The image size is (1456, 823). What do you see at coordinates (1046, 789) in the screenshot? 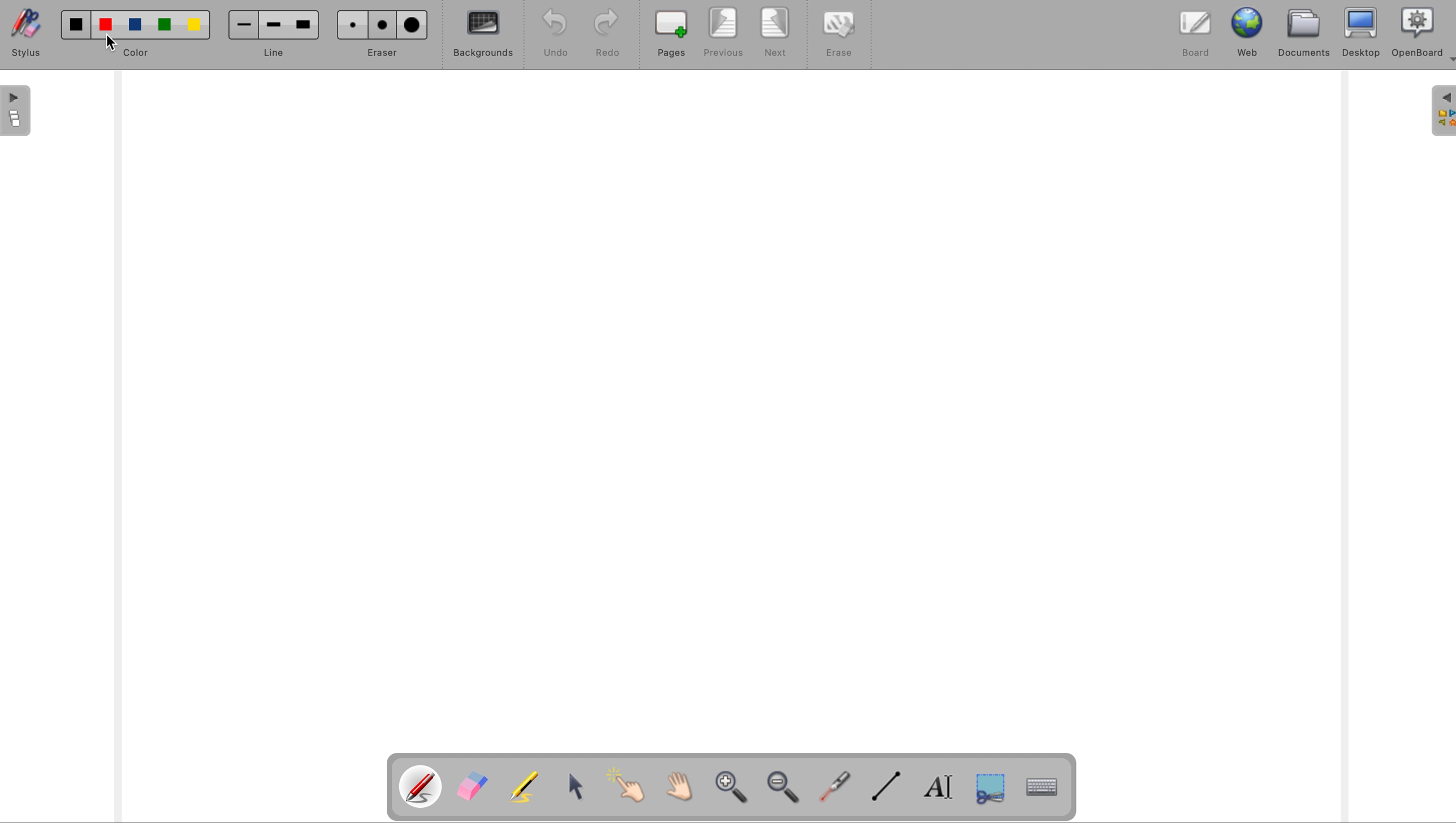
I see `display keyboard` at bounding box center [1046, 789].